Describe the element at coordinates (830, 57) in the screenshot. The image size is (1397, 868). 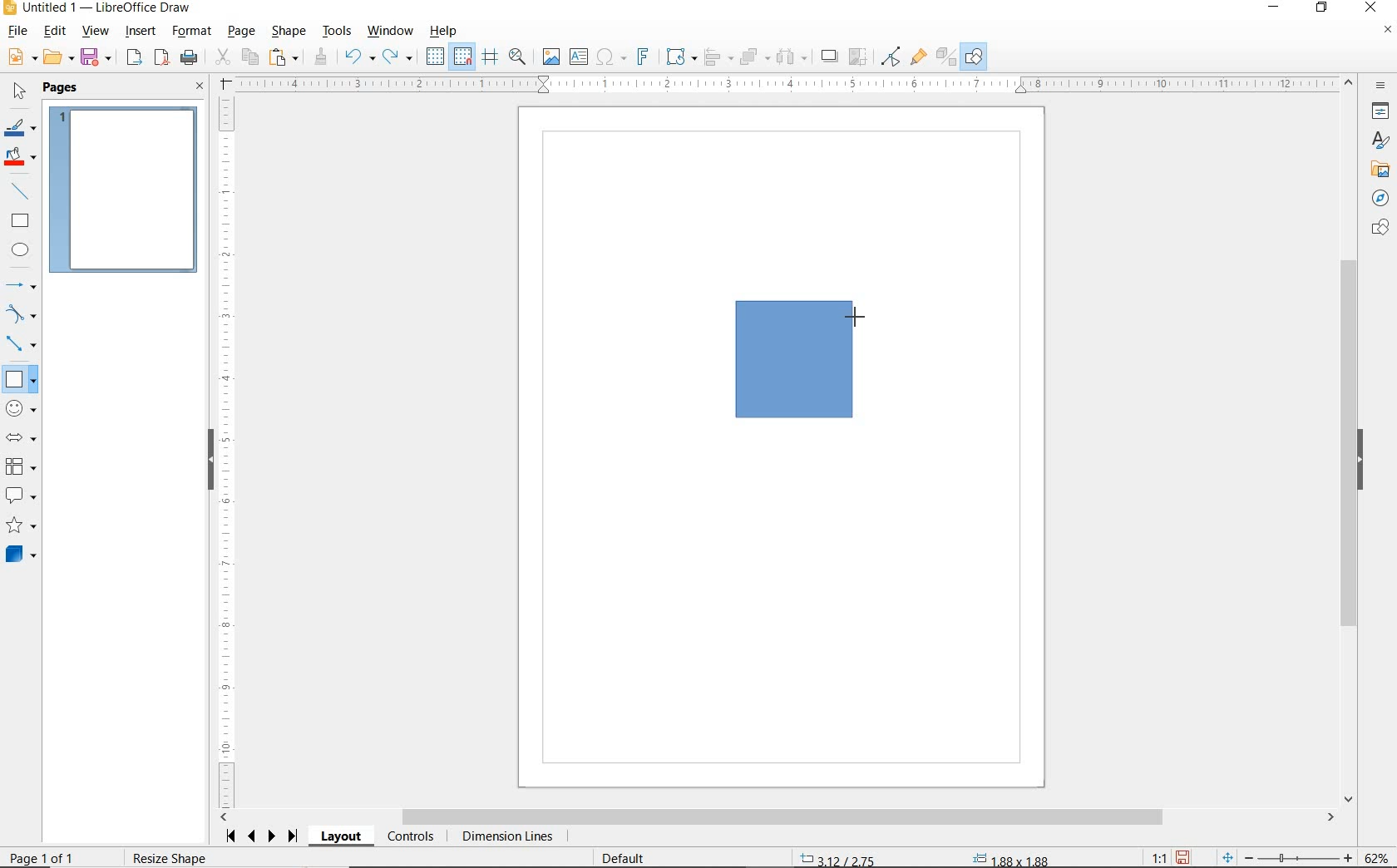
I see `SHADOW` at that location.